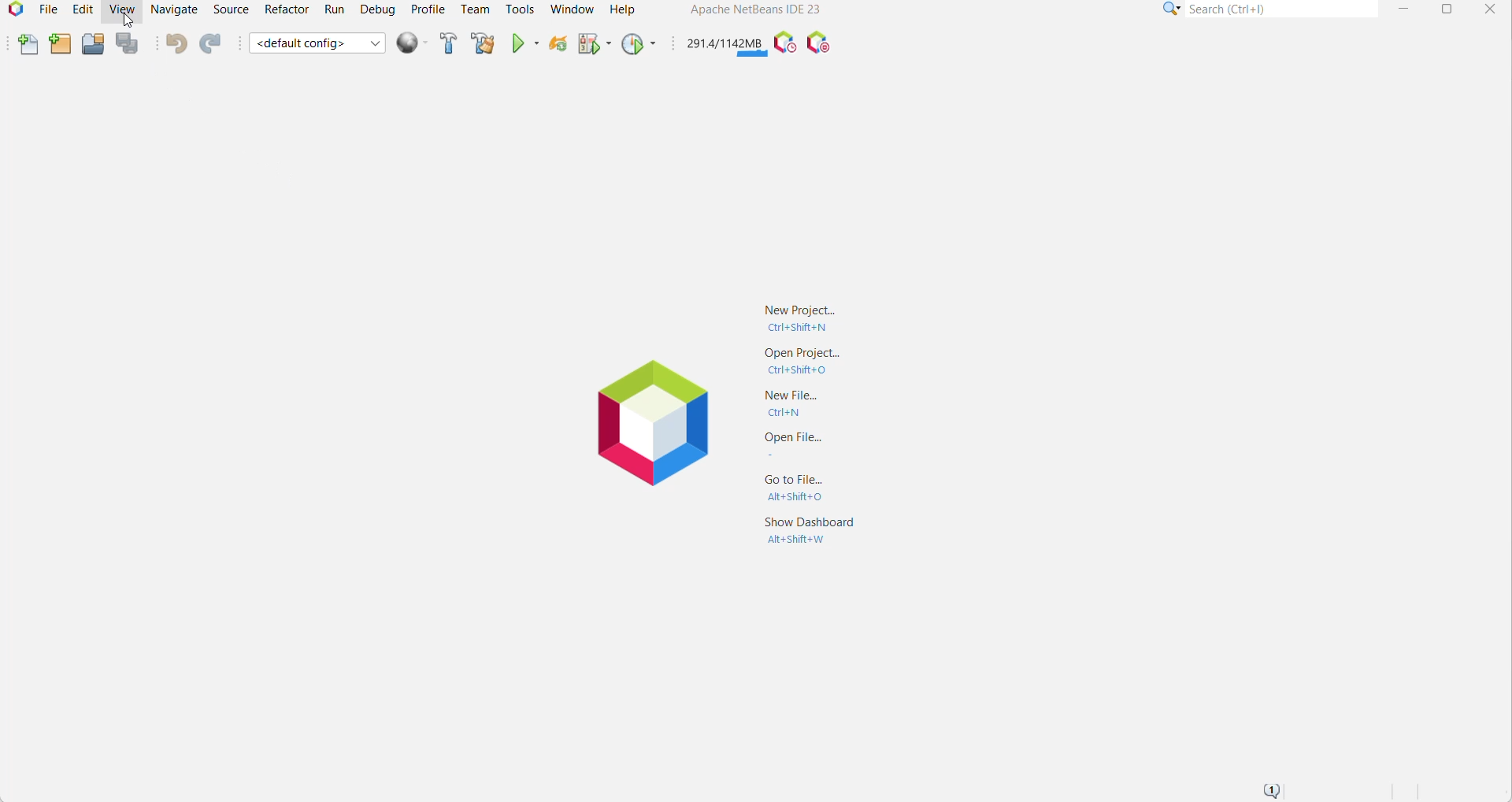  Describe the element at coordinates (317, 44) in the screenshot. I see `Set Project Configuration` at that location.